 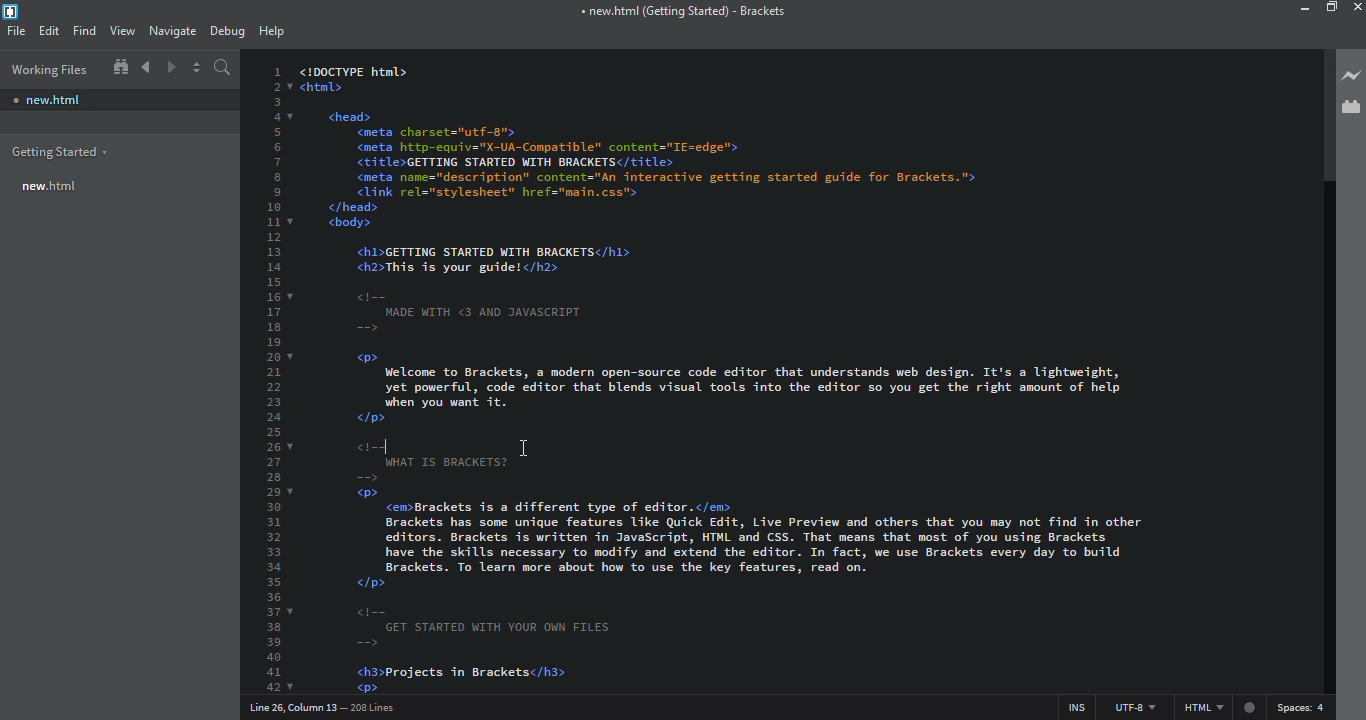 I want to click on live preview, so click(x=1352, y=75).